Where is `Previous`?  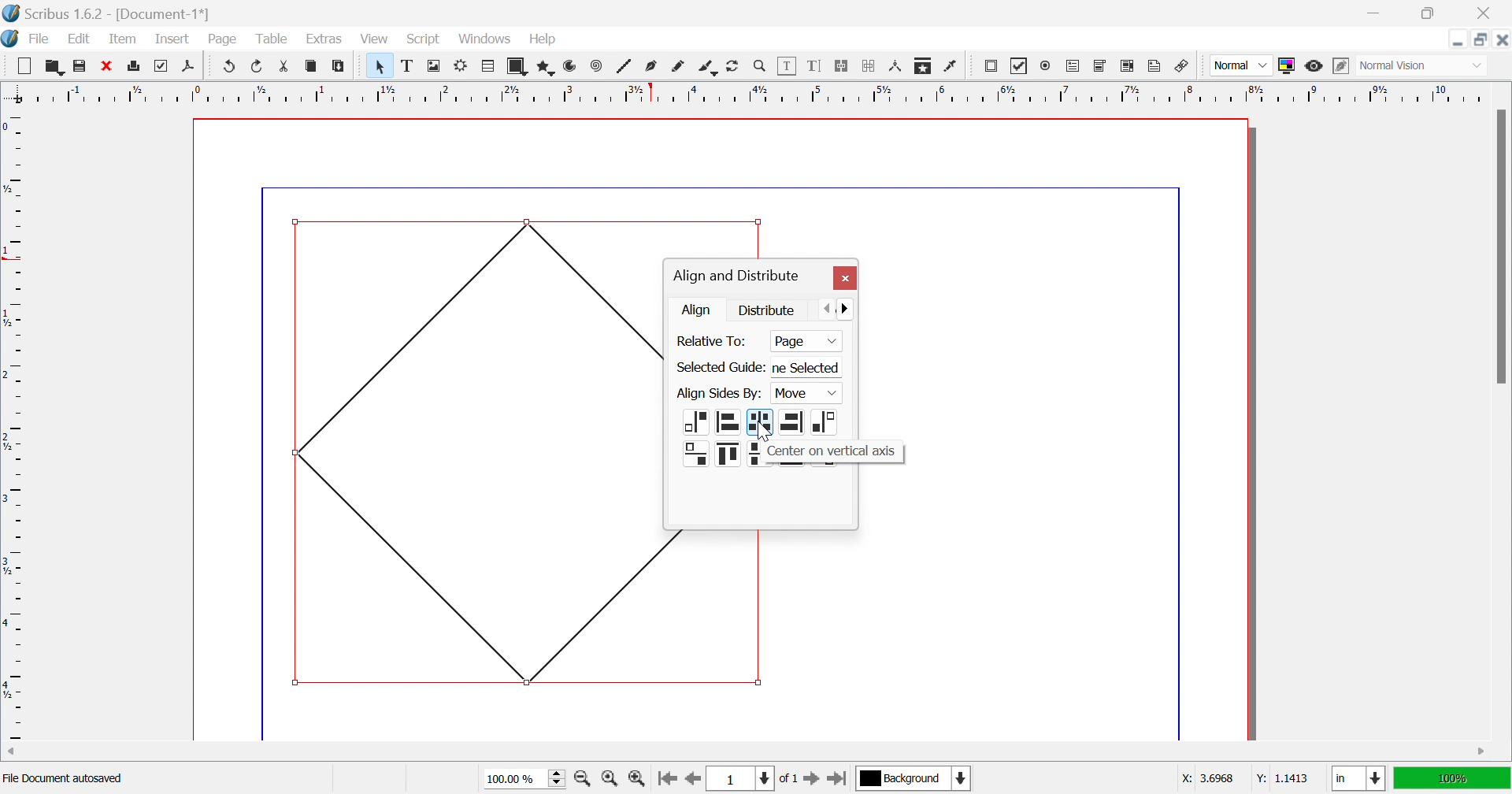 Previous is located at coordinates (829, 307).